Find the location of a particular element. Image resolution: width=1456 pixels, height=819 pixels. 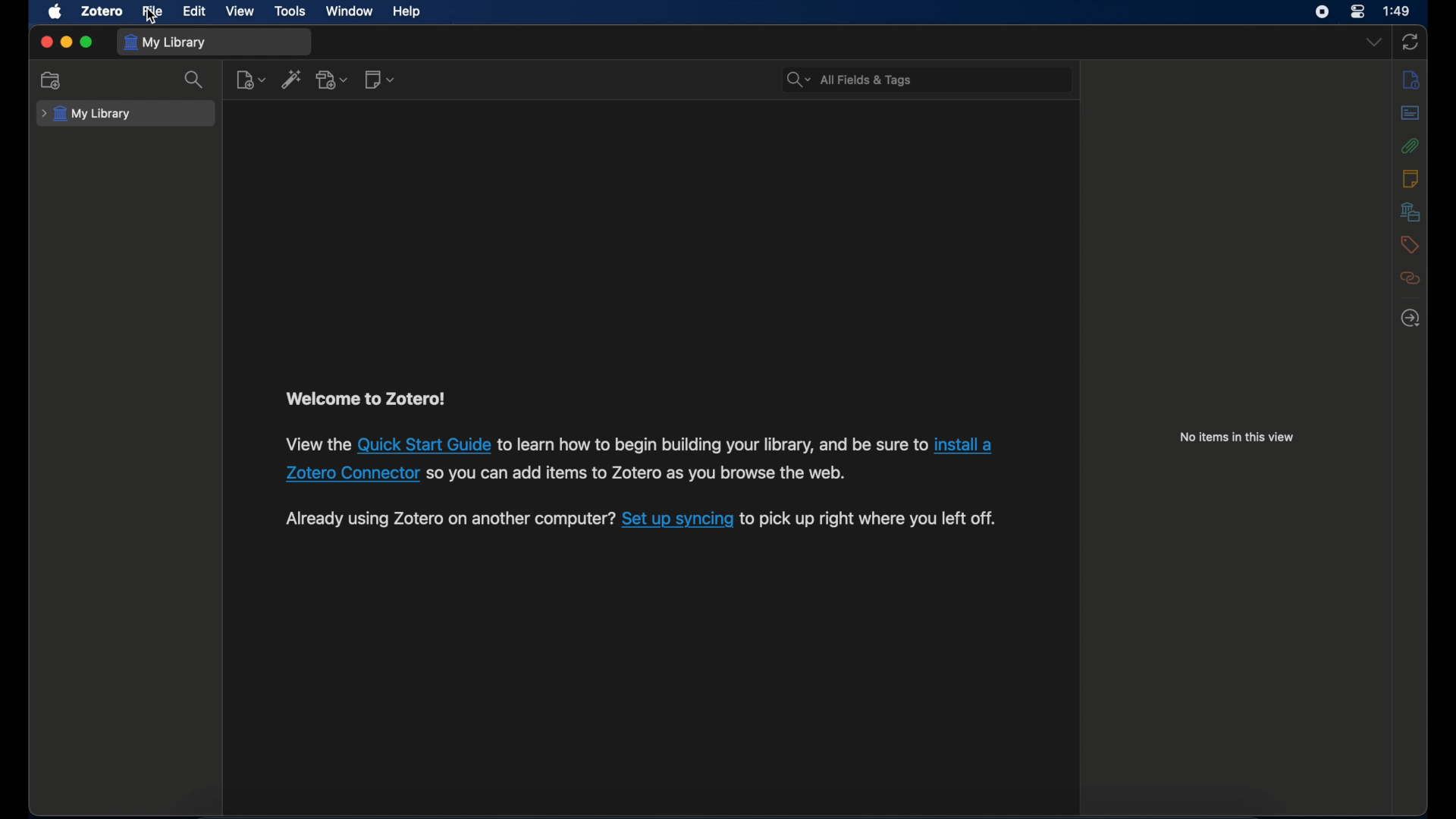

sync is located at coordinates (1410, 42).